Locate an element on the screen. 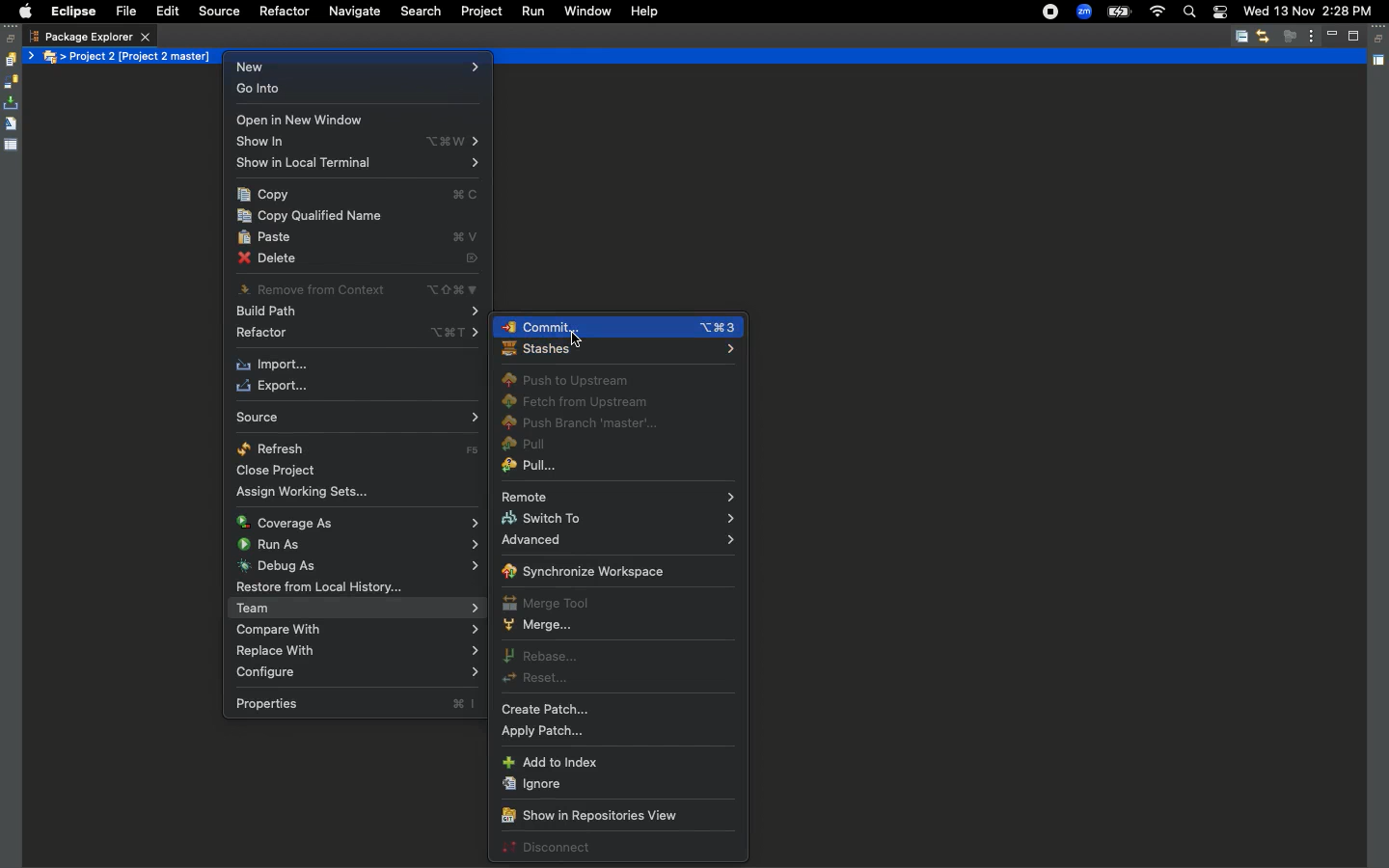 This screenshot has height=868, width=1389. Commit is located at coordinates (620, 327).